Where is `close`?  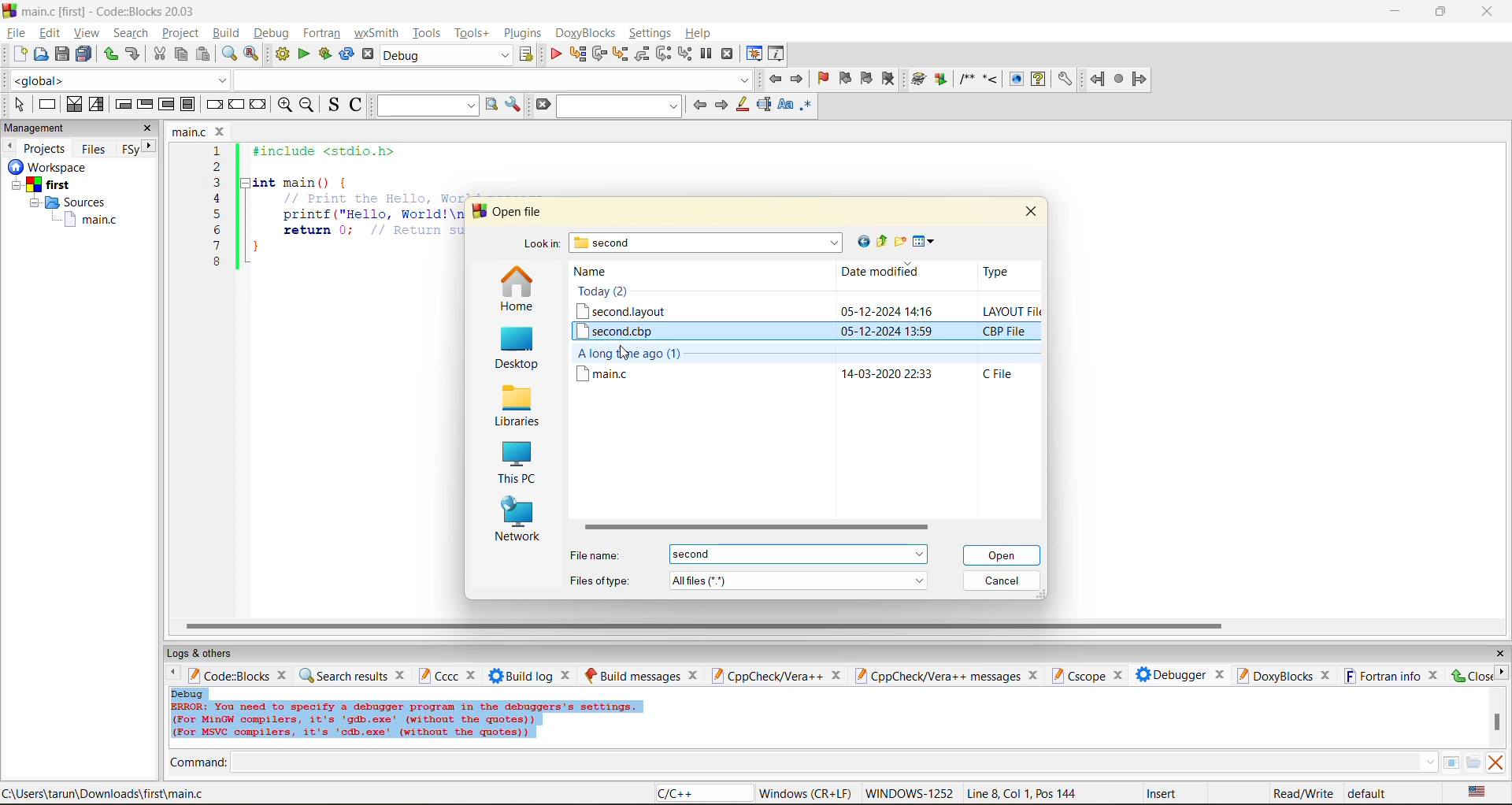
close is located at coordinates (148, 128).